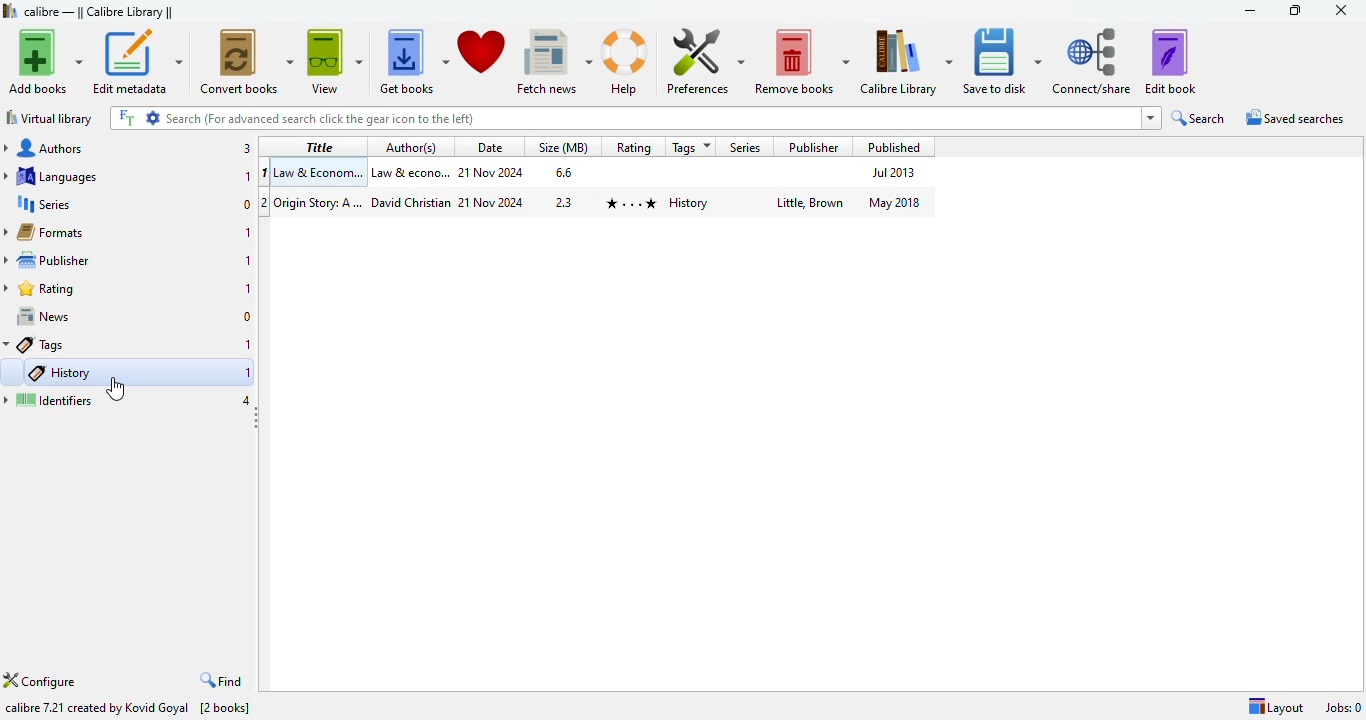  I want to click on 21 Nov 2024, so click(492, 173).